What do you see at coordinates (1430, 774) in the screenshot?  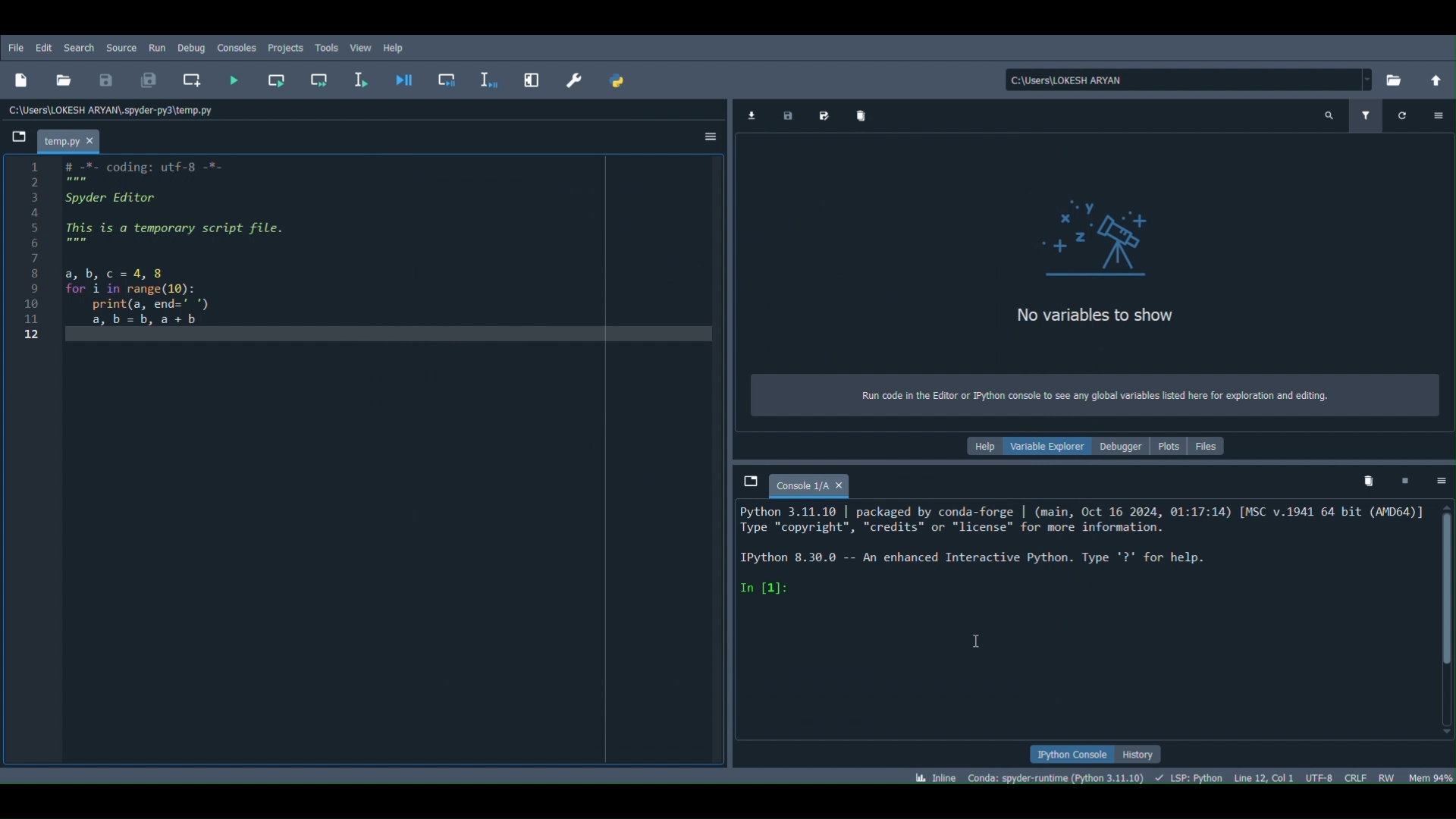 I see `Global memory usage` at bounding box center [1430, 774].